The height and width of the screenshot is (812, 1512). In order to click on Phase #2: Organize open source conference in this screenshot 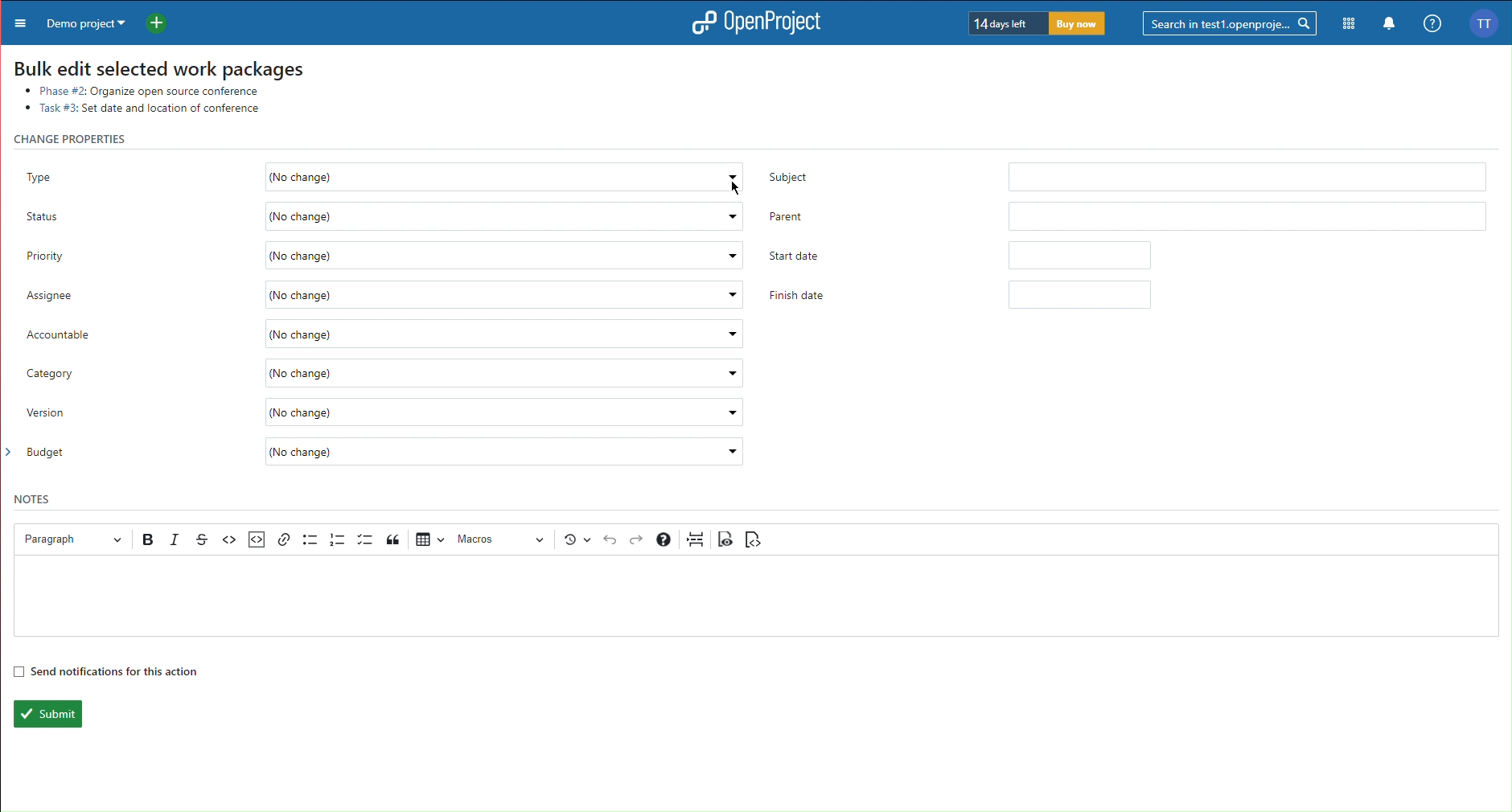, I will do `click(144, 88)`.